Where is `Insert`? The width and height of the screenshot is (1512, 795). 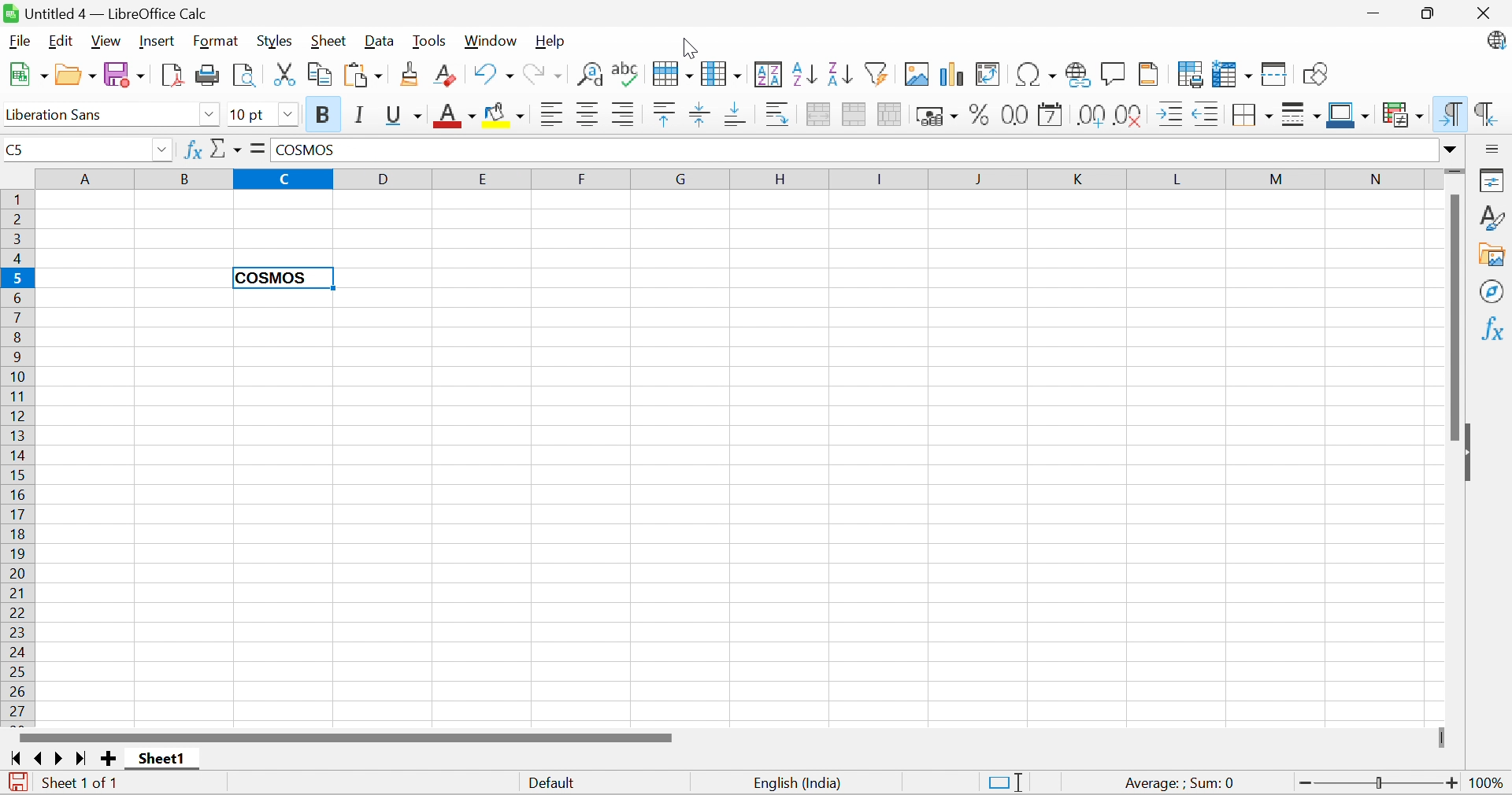
Insert is located at coordinates (158, 40).